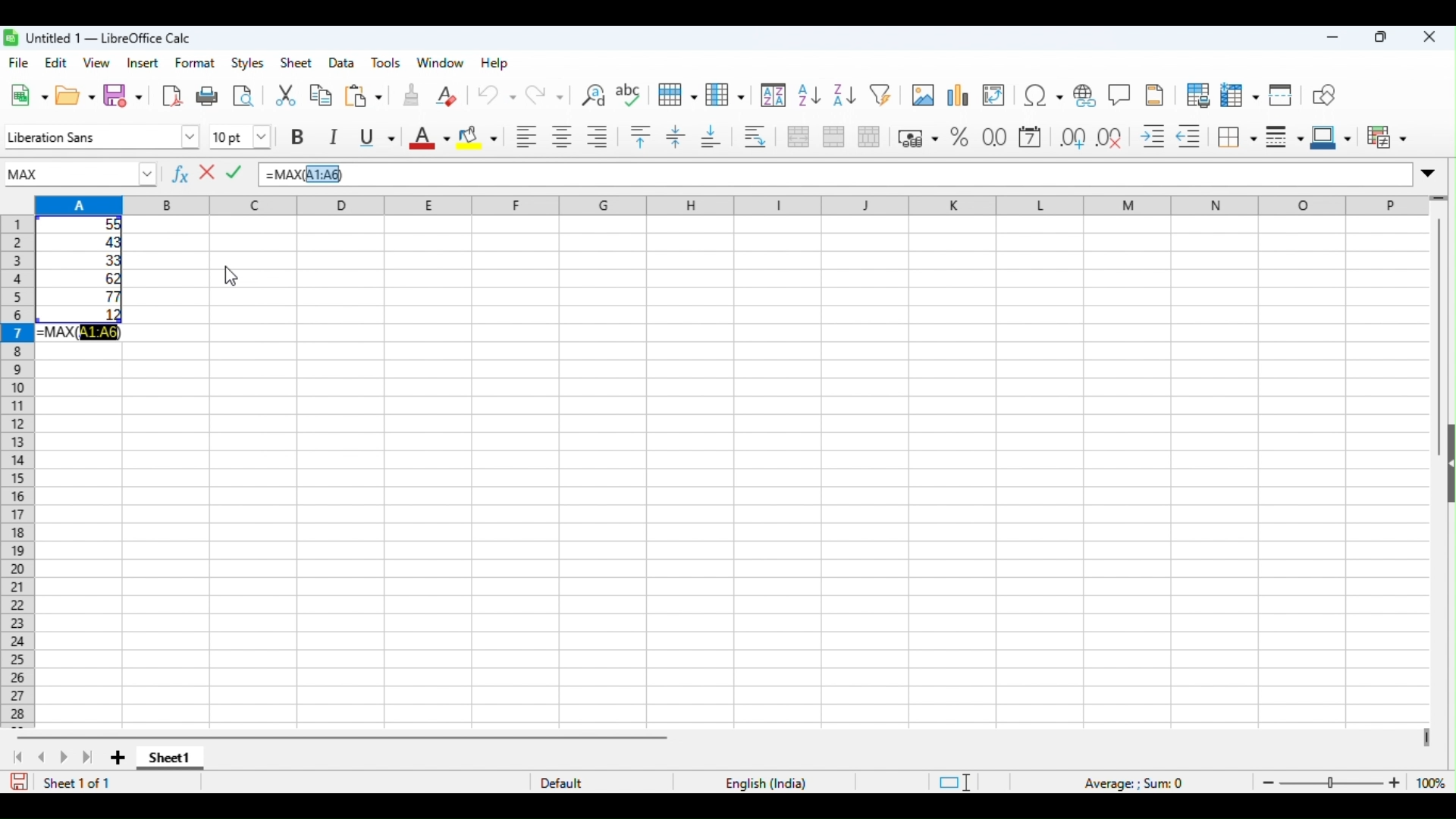 The height and width of the screenshot is (819, 1456). I want to click on insert special characters, so click(1042, 93).